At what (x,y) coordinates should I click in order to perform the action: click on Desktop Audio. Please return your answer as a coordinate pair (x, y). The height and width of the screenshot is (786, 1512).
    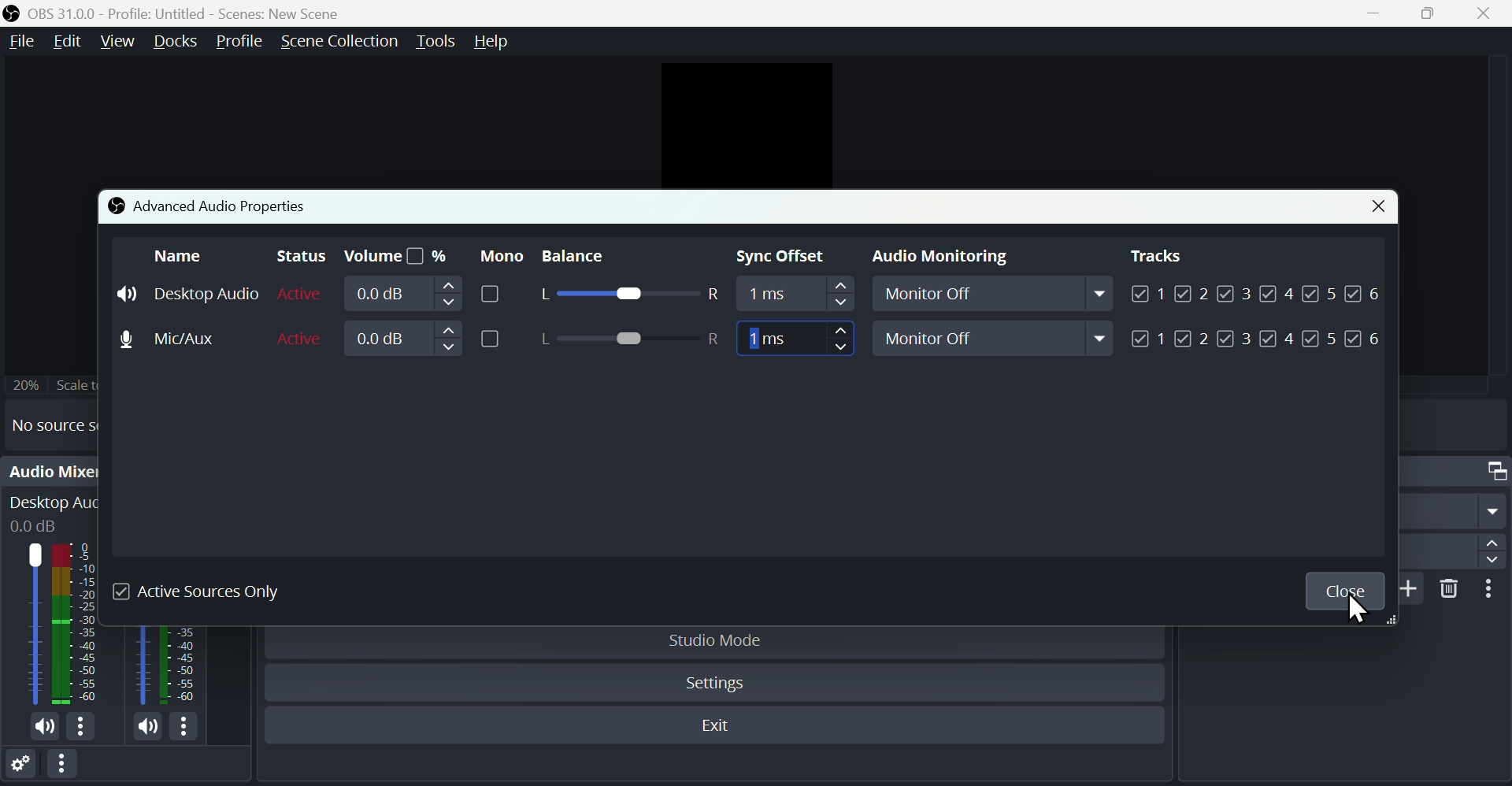
    Looking at the image, I should click on (78, 624).